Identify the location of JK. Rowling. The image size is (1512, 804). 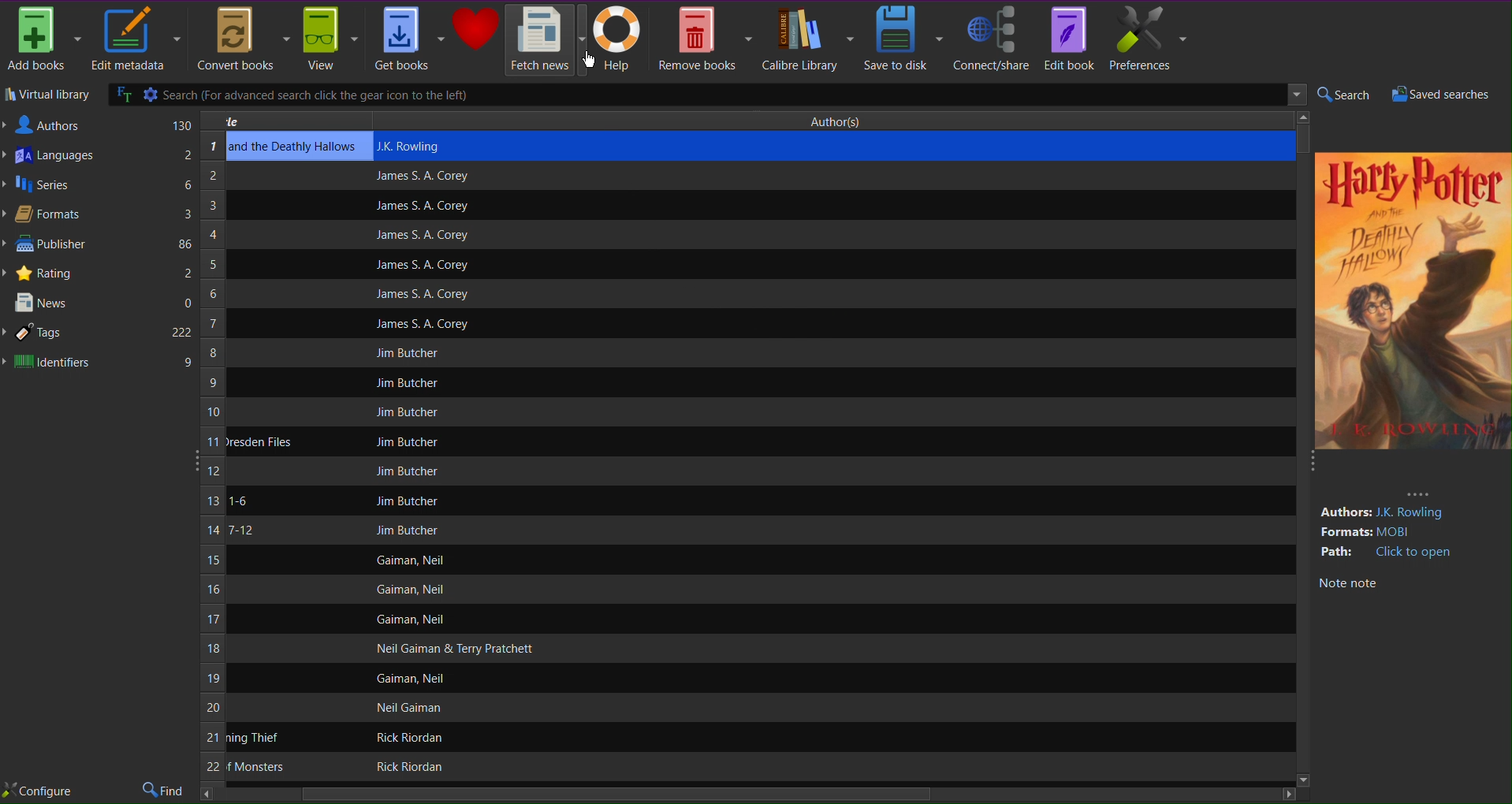
(417, 145).